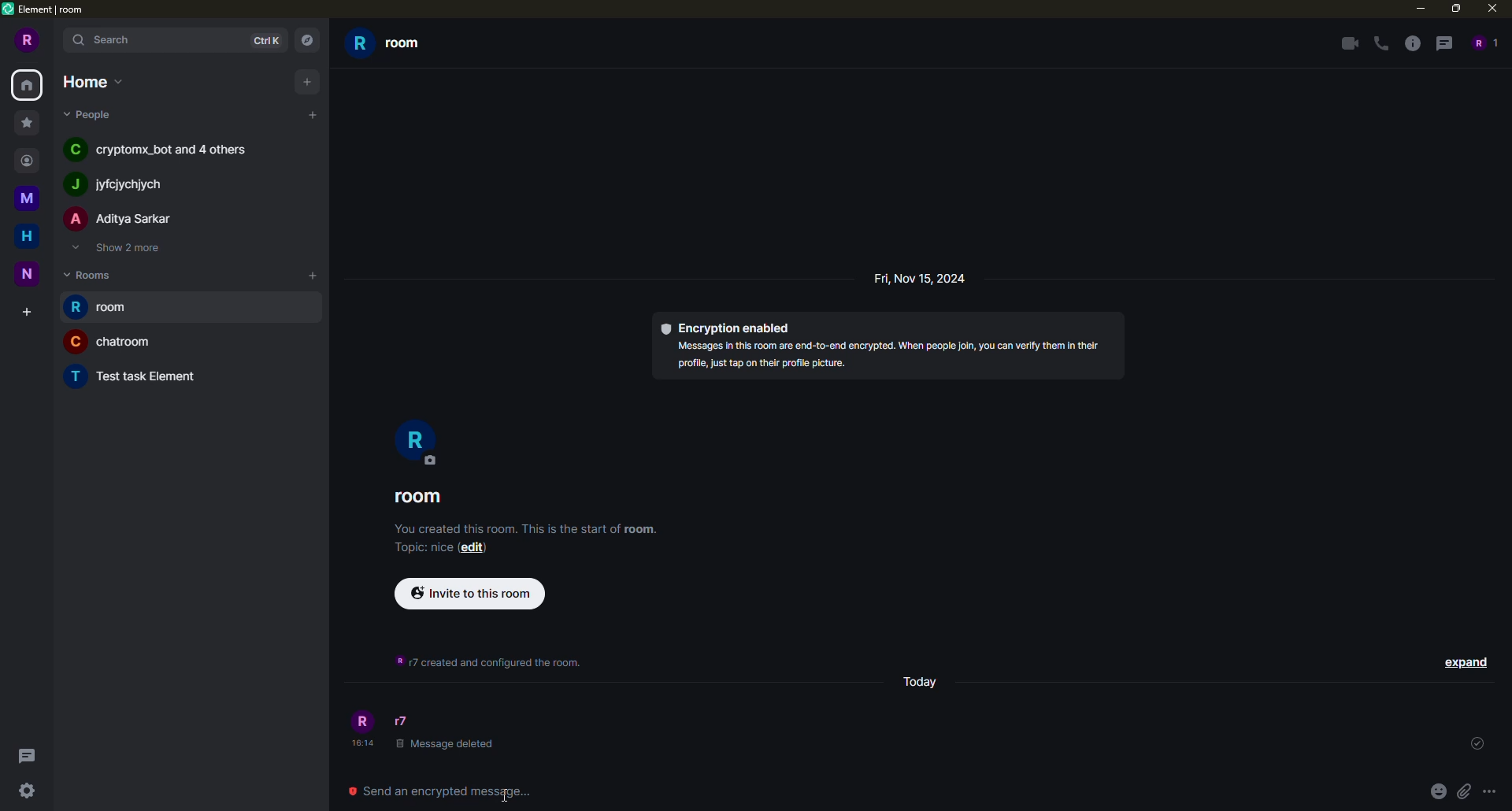  What do you see at coordinates (29, 84) in the screenshot?
I see `home` at bounding box center [29, 84].